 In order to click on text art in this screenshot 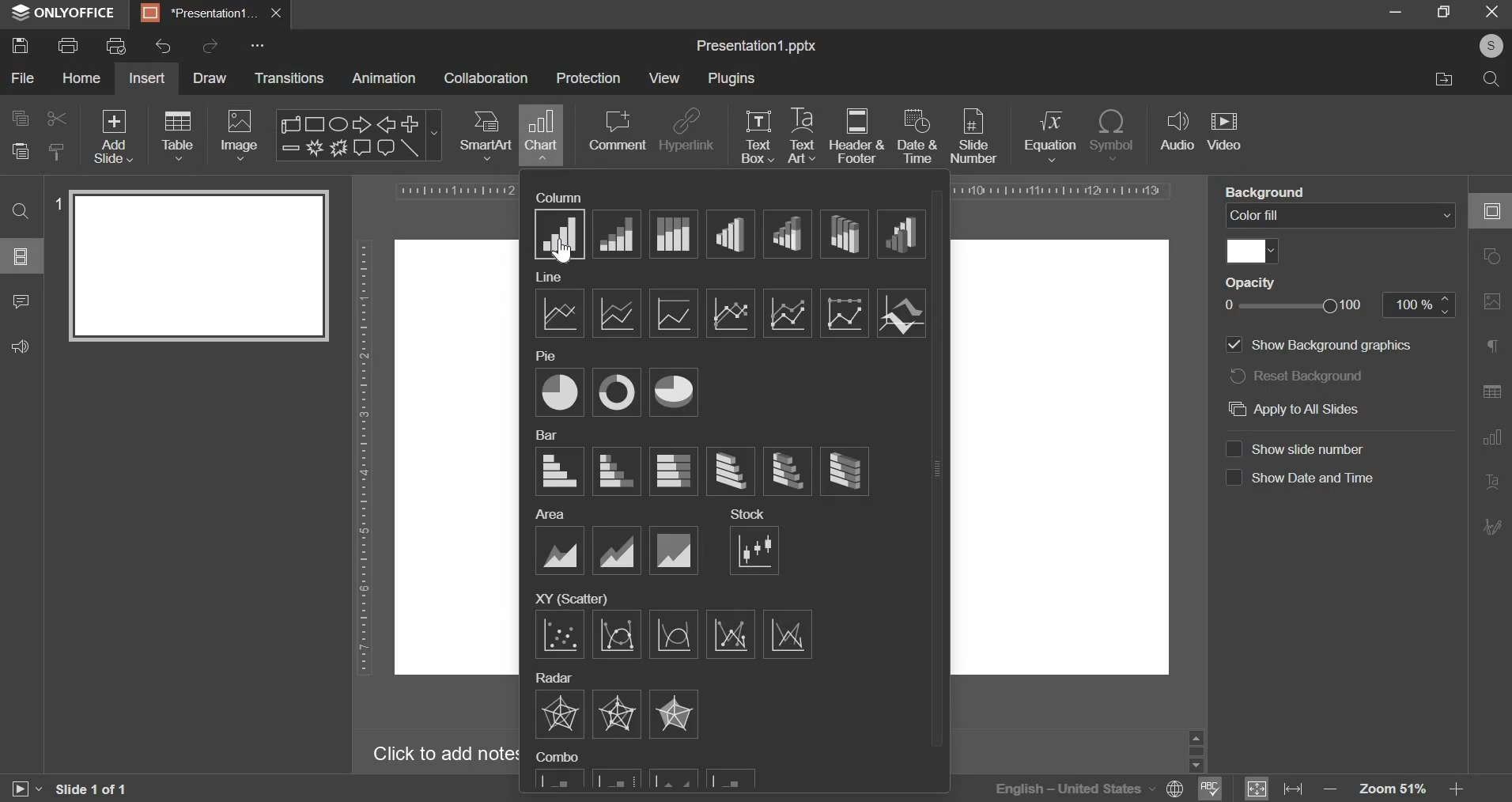, I will do `click(800, 134)`.